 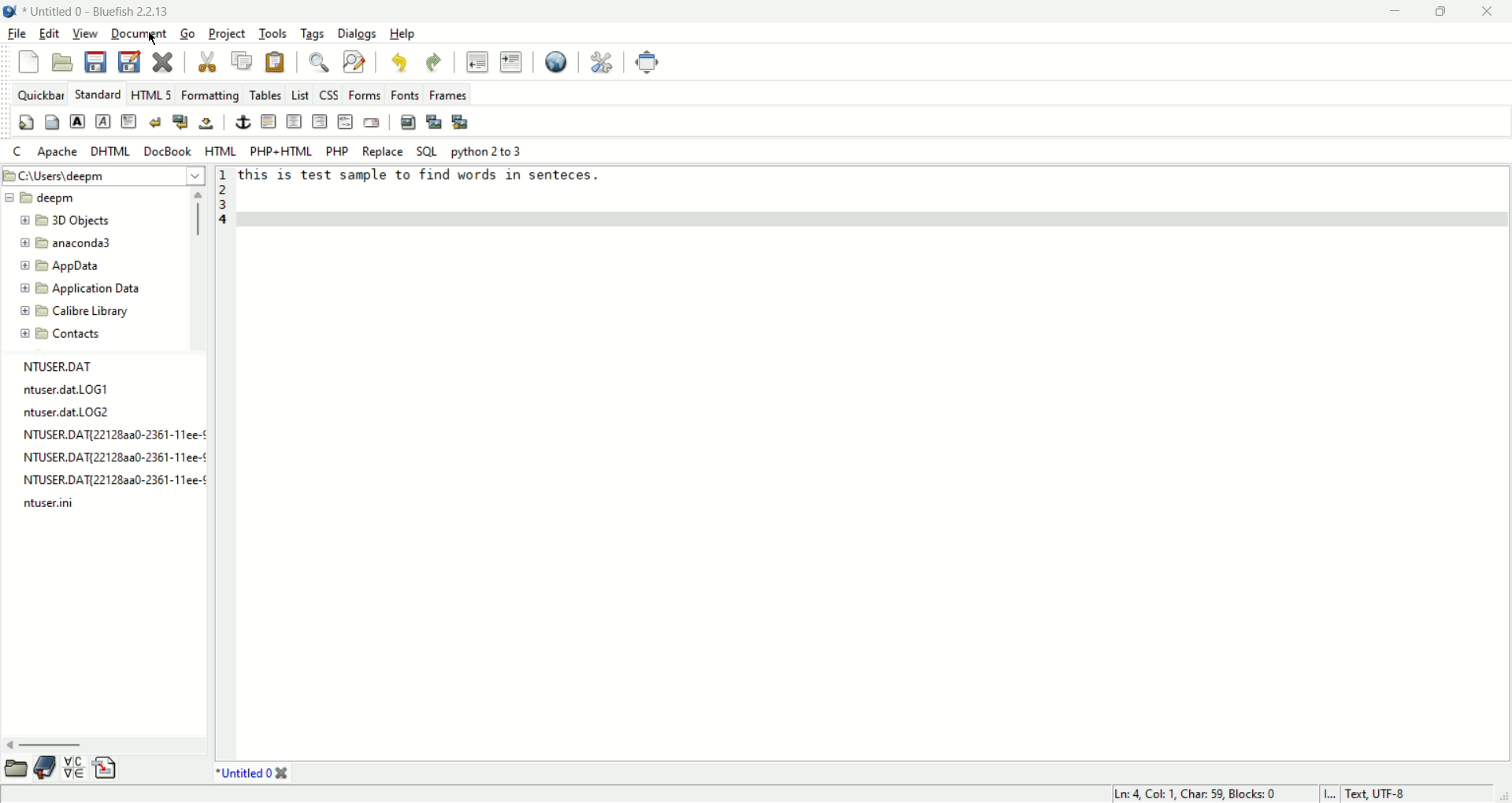 What do you see at coordinates (113, 457) in the screenshot?
I see `NTUSER.DAT{22128aa0-2361-11ee-` at bounding box center [113, 457].